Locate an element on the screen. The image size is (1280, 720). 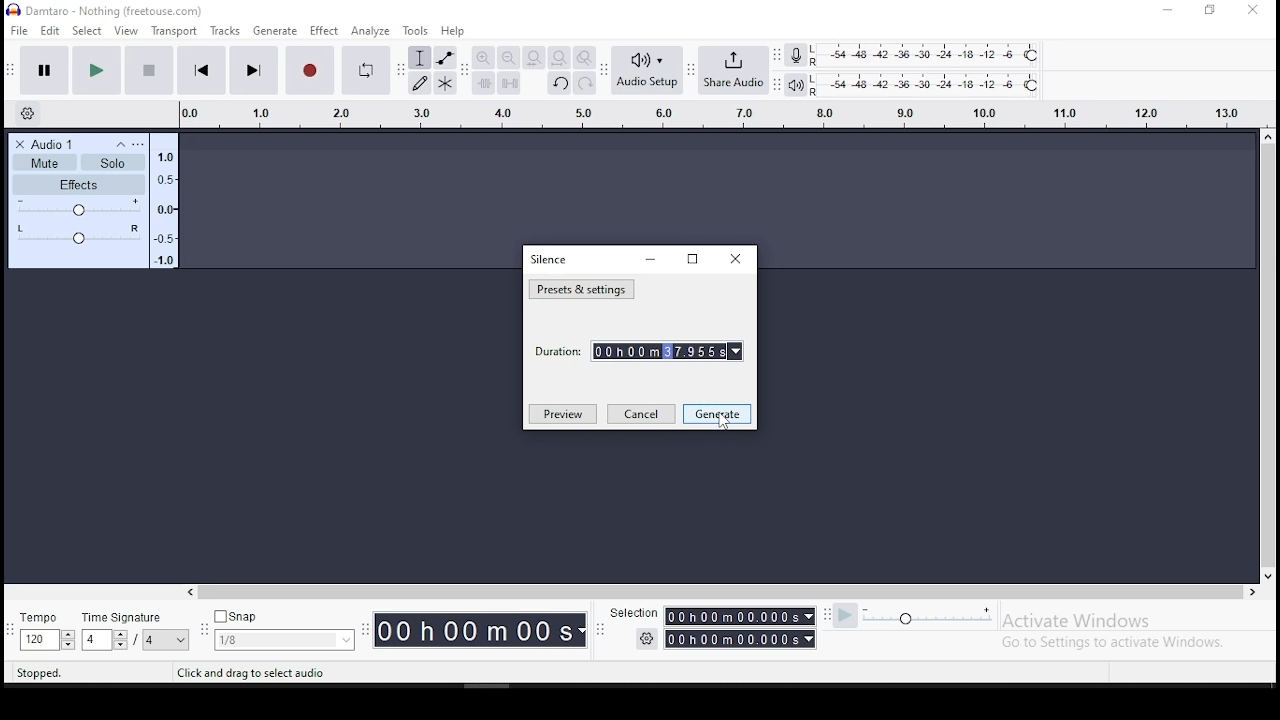
zoom in is located at coordinates (484, 57).